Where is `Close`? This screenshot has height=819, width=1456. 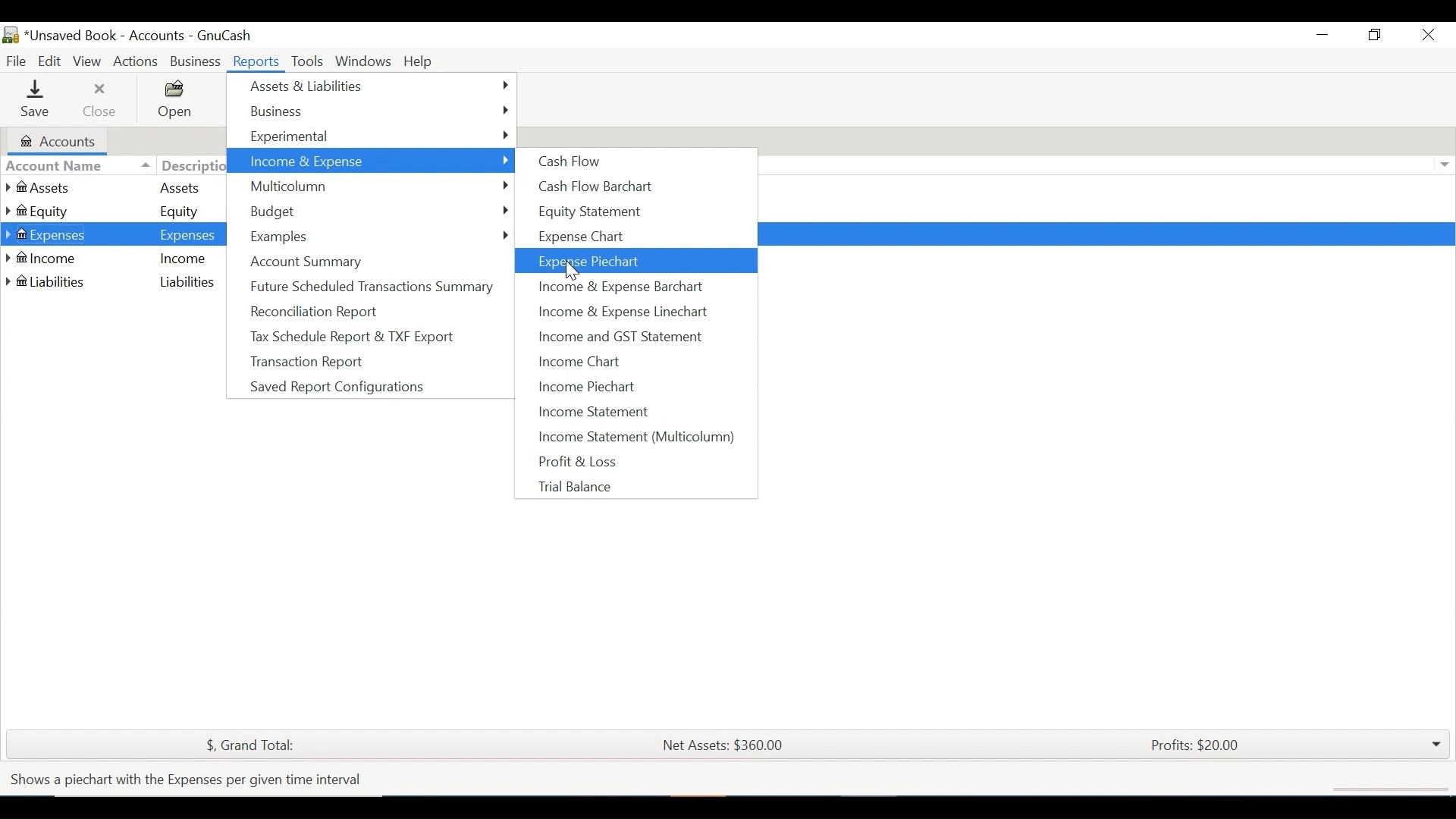 Close is located at coordinates (99, 99).